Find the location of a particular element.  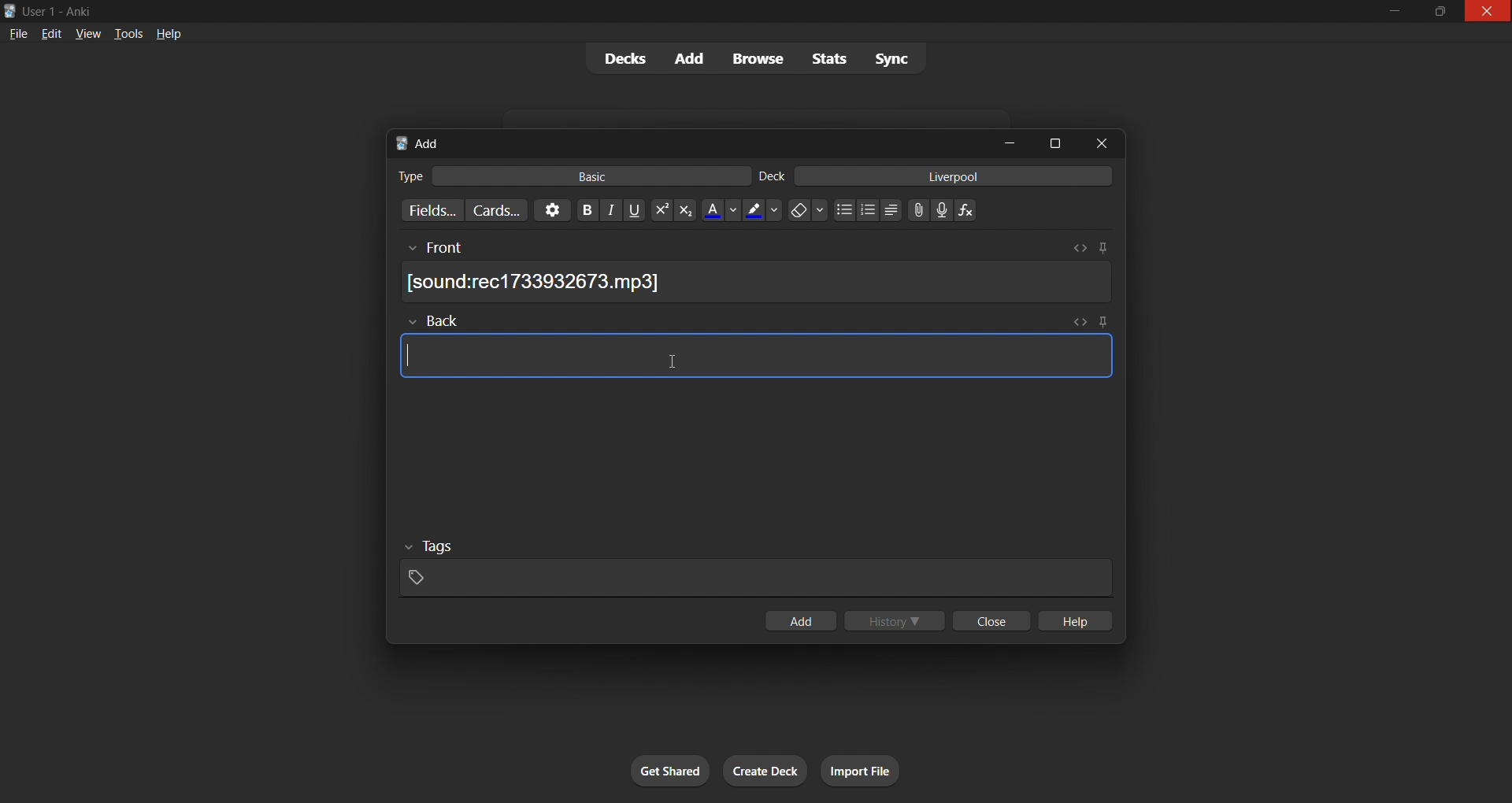

superscript is located at coordinates (658, 209).